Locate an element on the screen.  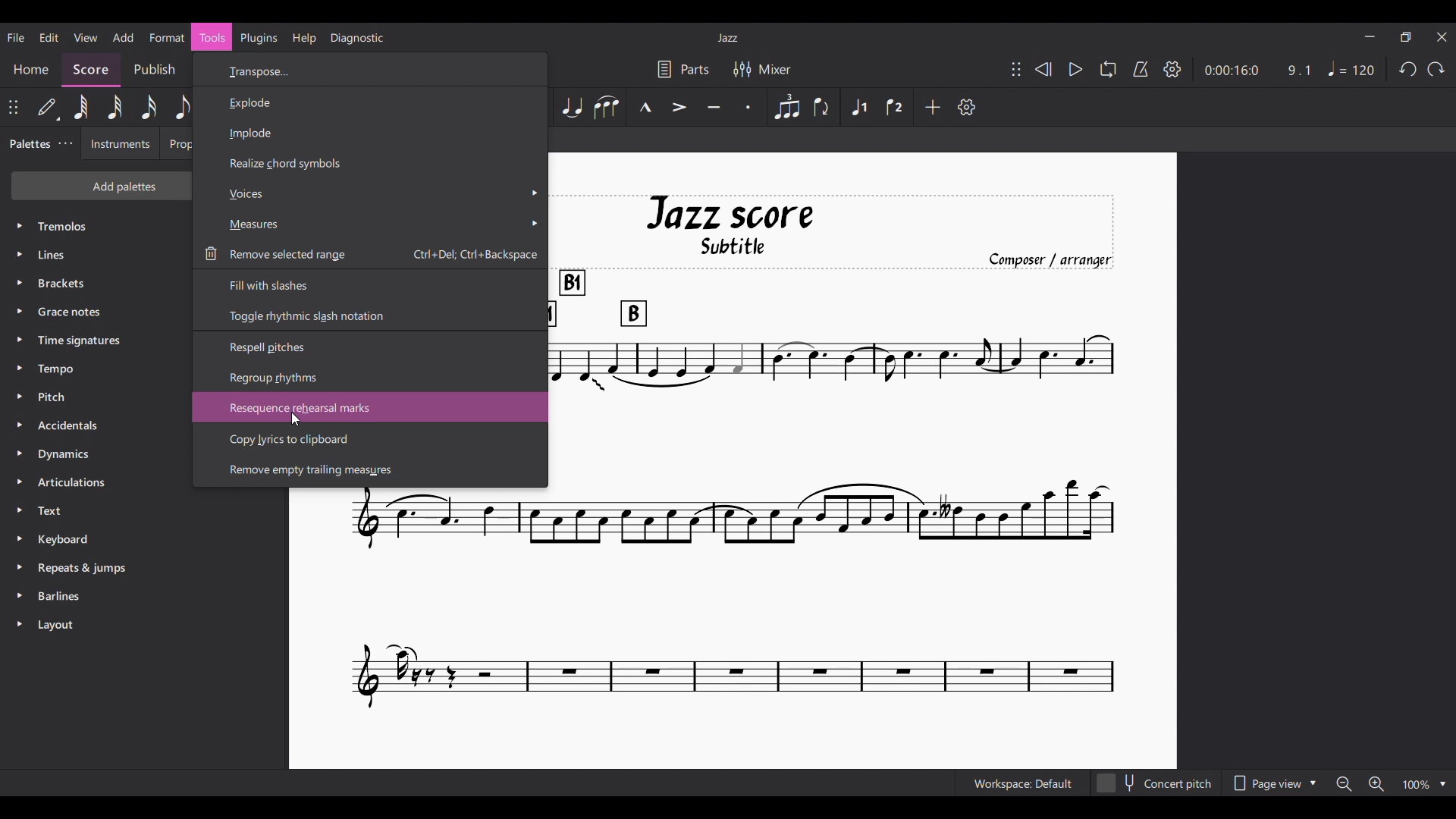
Tenuto is located at coordinates (714, 107).